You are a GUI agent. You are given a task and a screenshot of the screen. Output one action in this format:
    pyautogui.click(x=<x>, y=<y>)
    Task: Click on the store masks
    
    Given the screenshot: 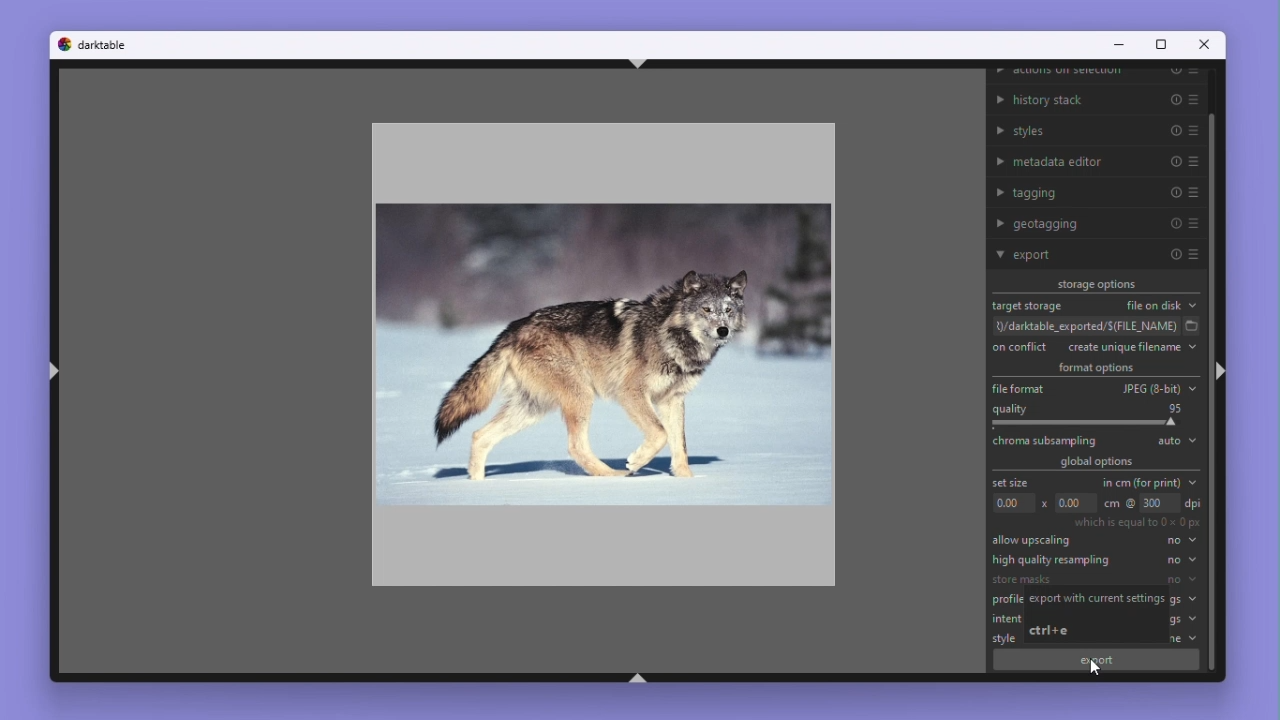 What is the action you would take?
    pyautogui.click(x=1023, y=580)
    